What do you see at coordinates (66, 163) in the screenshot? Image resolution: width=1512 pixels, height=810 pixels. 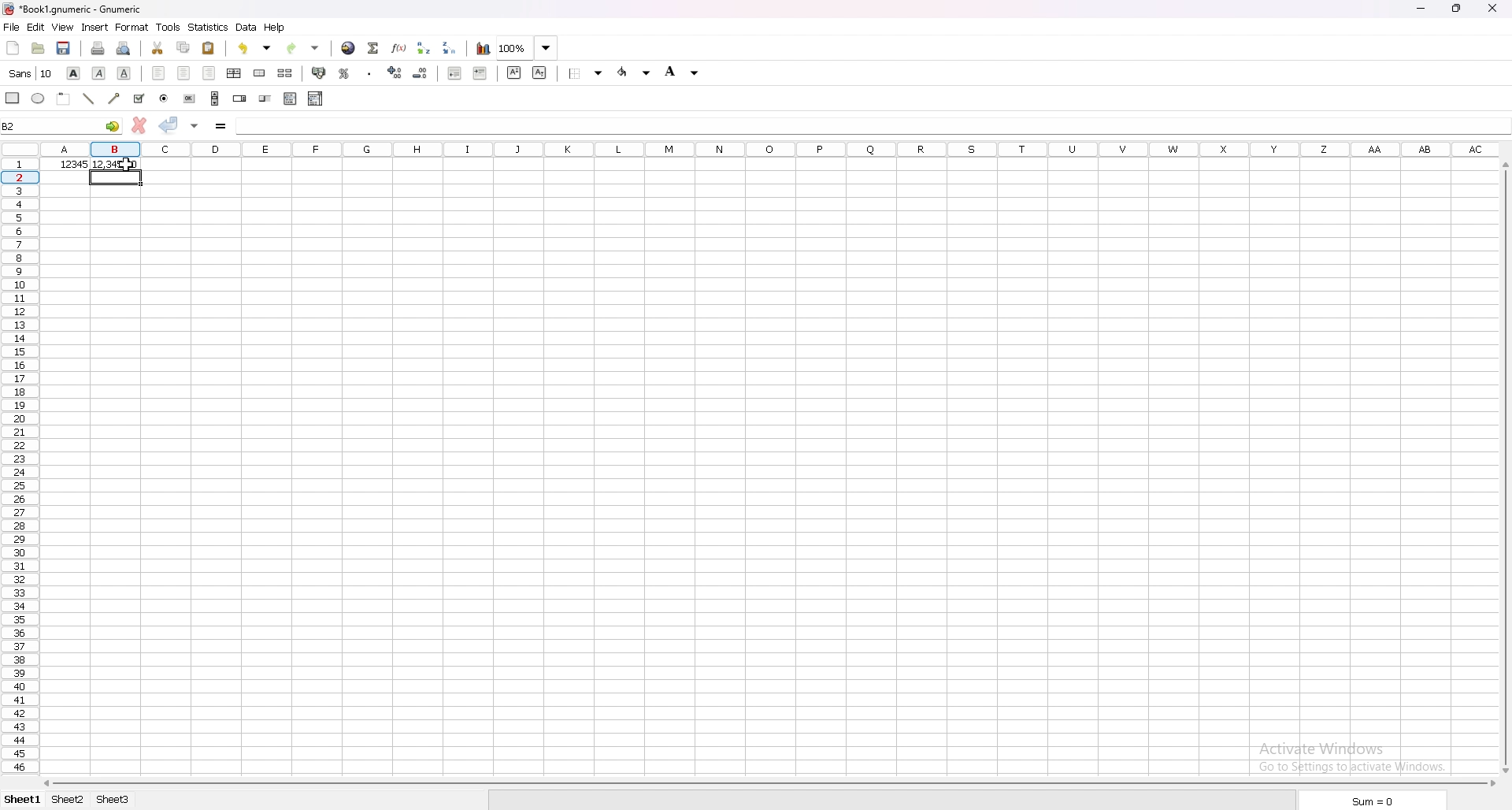 I see `number` at bounding box center [66, 163].